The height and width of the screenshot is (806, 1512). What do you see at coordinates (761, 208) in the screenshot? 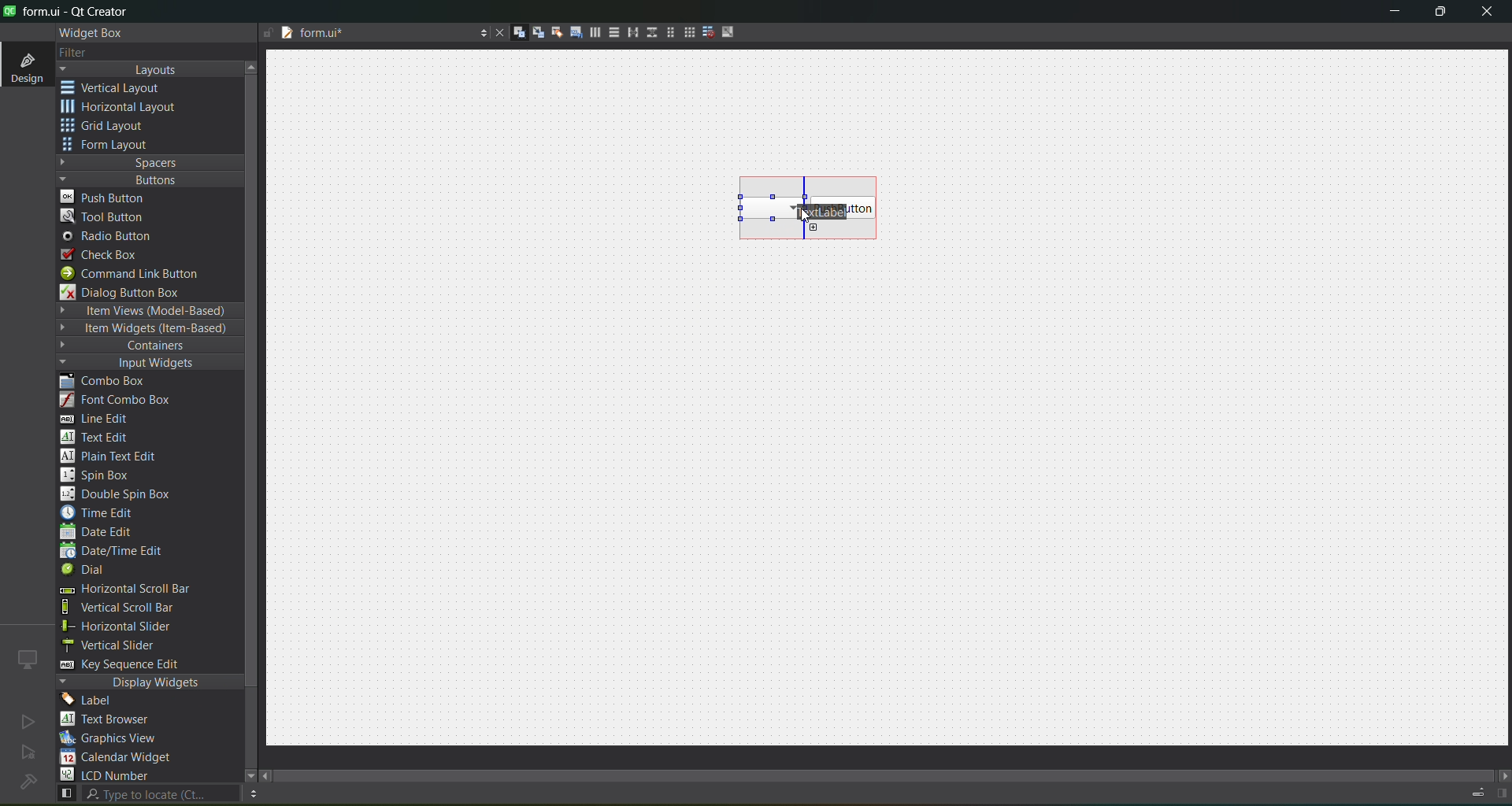
I see `combo box` at bounding box center [761, 208].